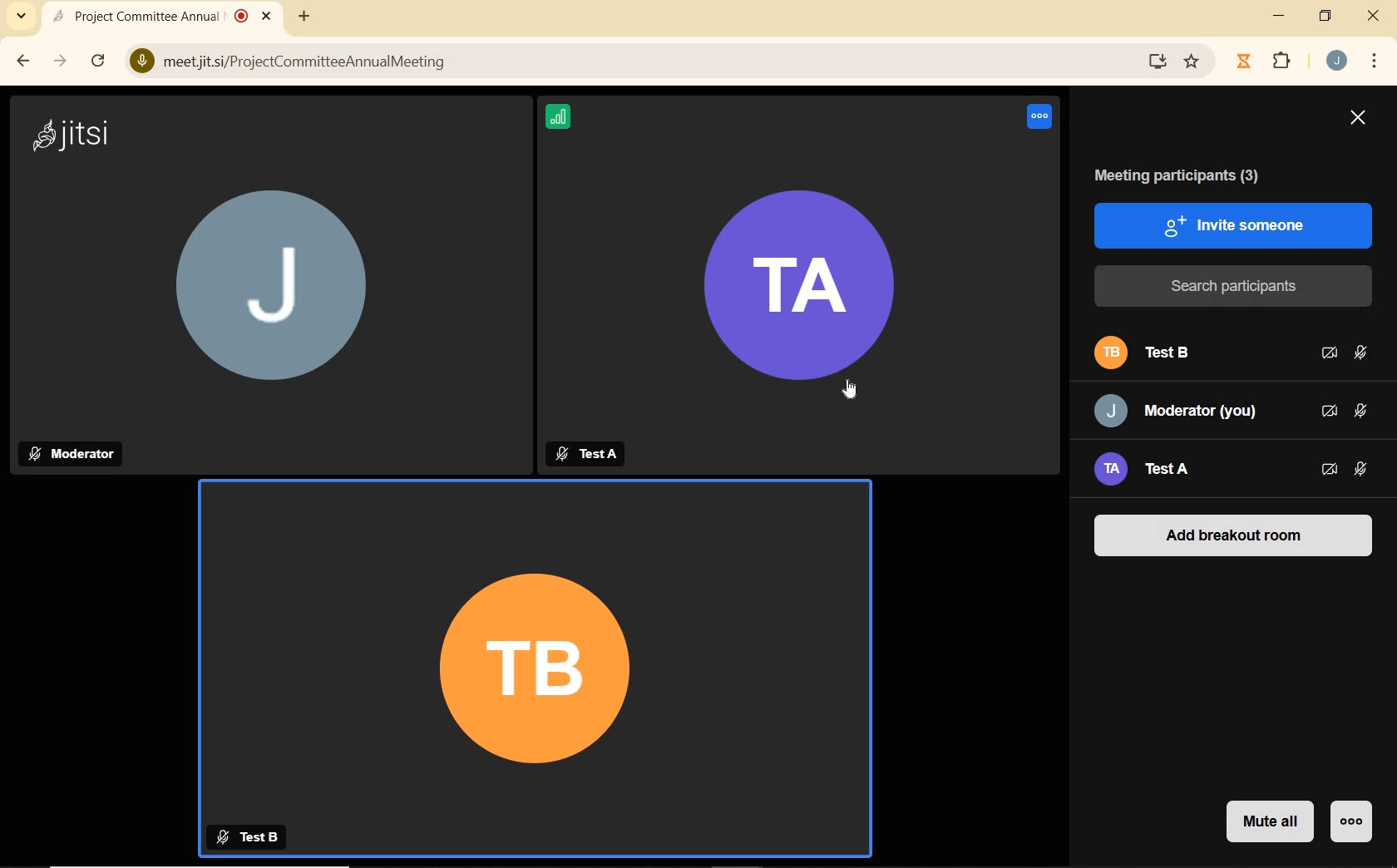 This screenshot has height=868, width=1397. I want to click on CAMERA, so click(1330, 471).